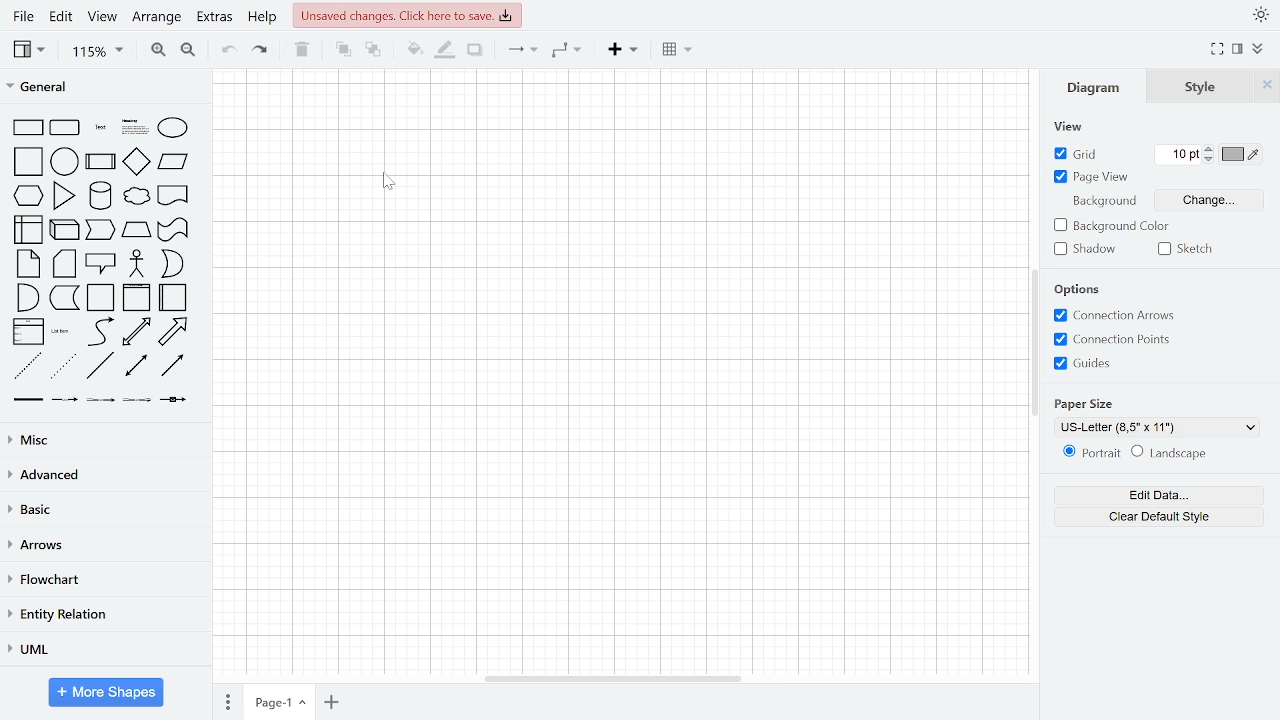 The width and height of the screenshot is (1280, 720). What do you see at coordinates (139, 367) in the screenshot?
I see `bidirectional connector` at bounding box center [139, 367].